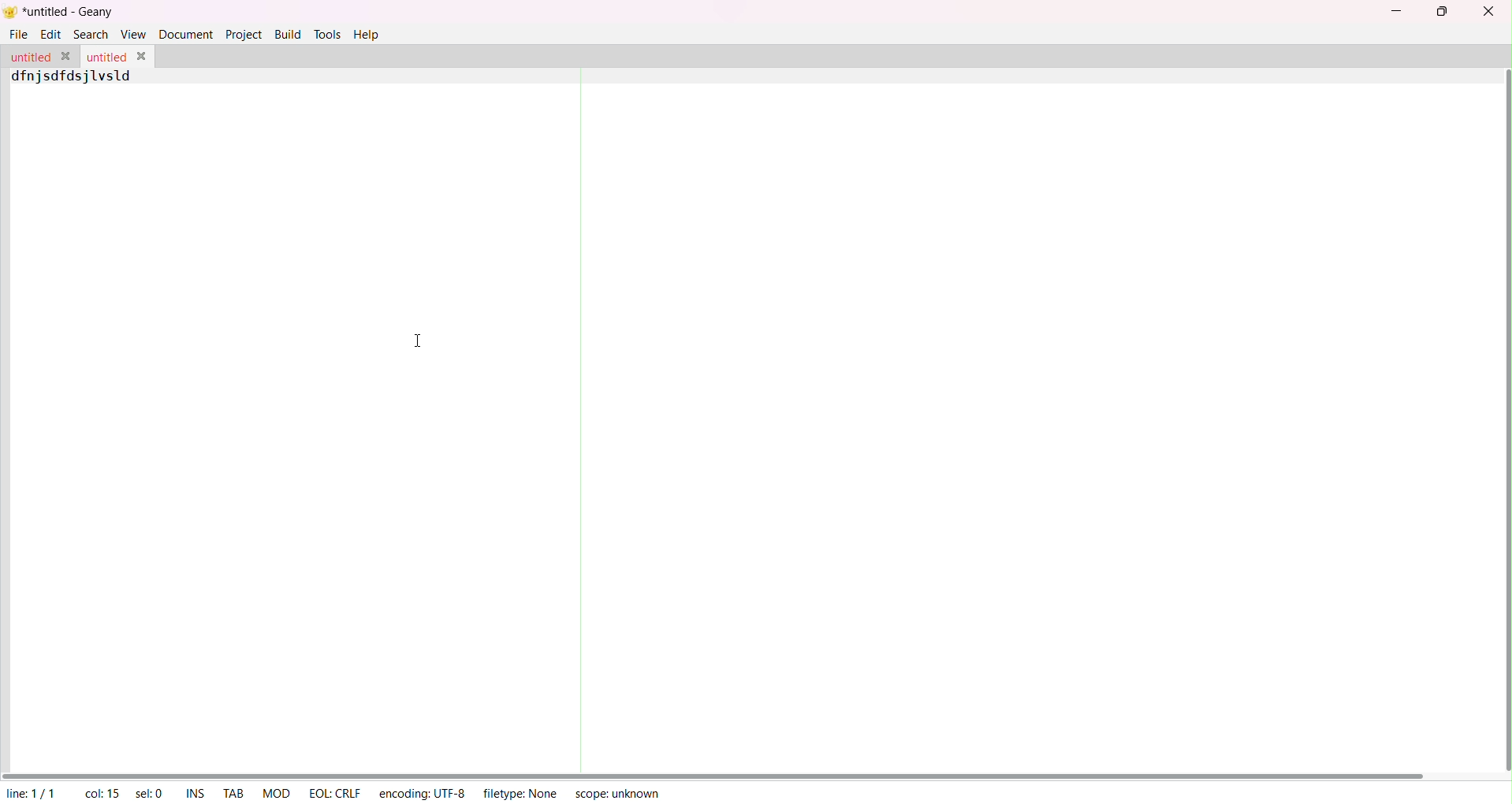  Describe the element at coordinates (52, 35) in the screenshot. I see `edit` at that location.